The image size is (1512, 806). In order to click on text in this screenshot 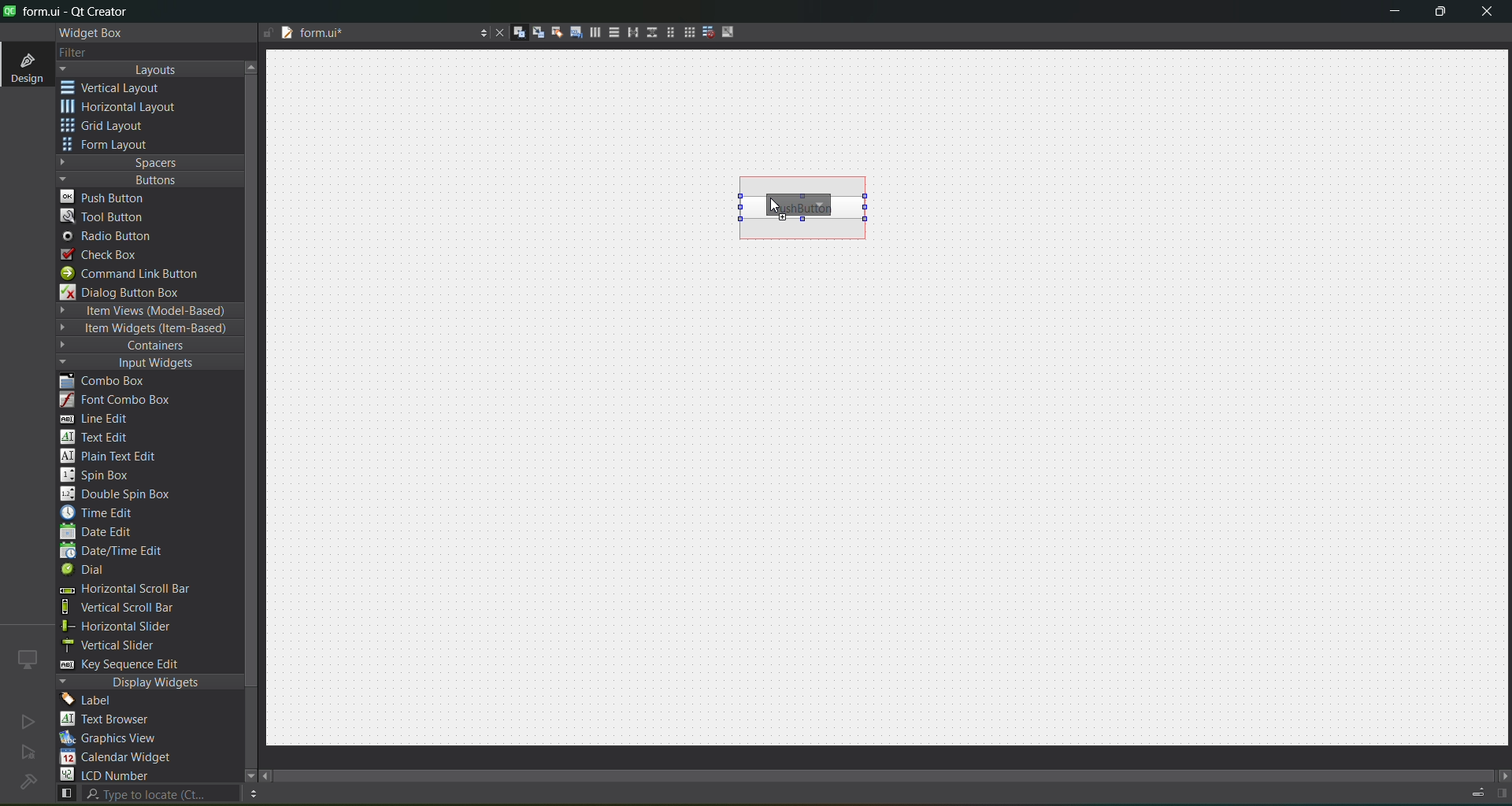, I will do `click(114, 720)`.